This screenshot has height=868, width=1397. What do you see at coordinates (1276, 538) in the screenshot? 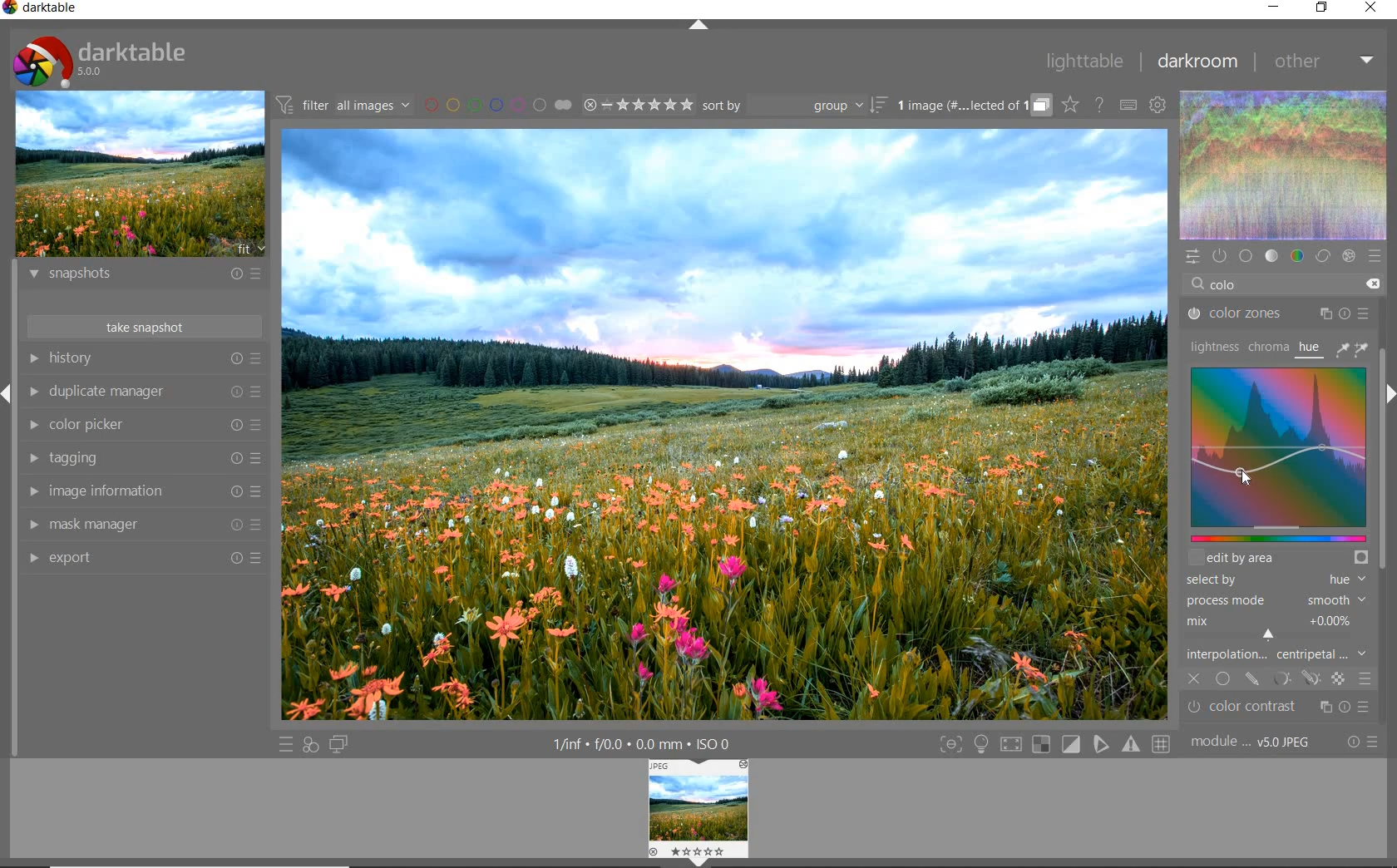
I see `slider` at bounding box center [1276, 538].